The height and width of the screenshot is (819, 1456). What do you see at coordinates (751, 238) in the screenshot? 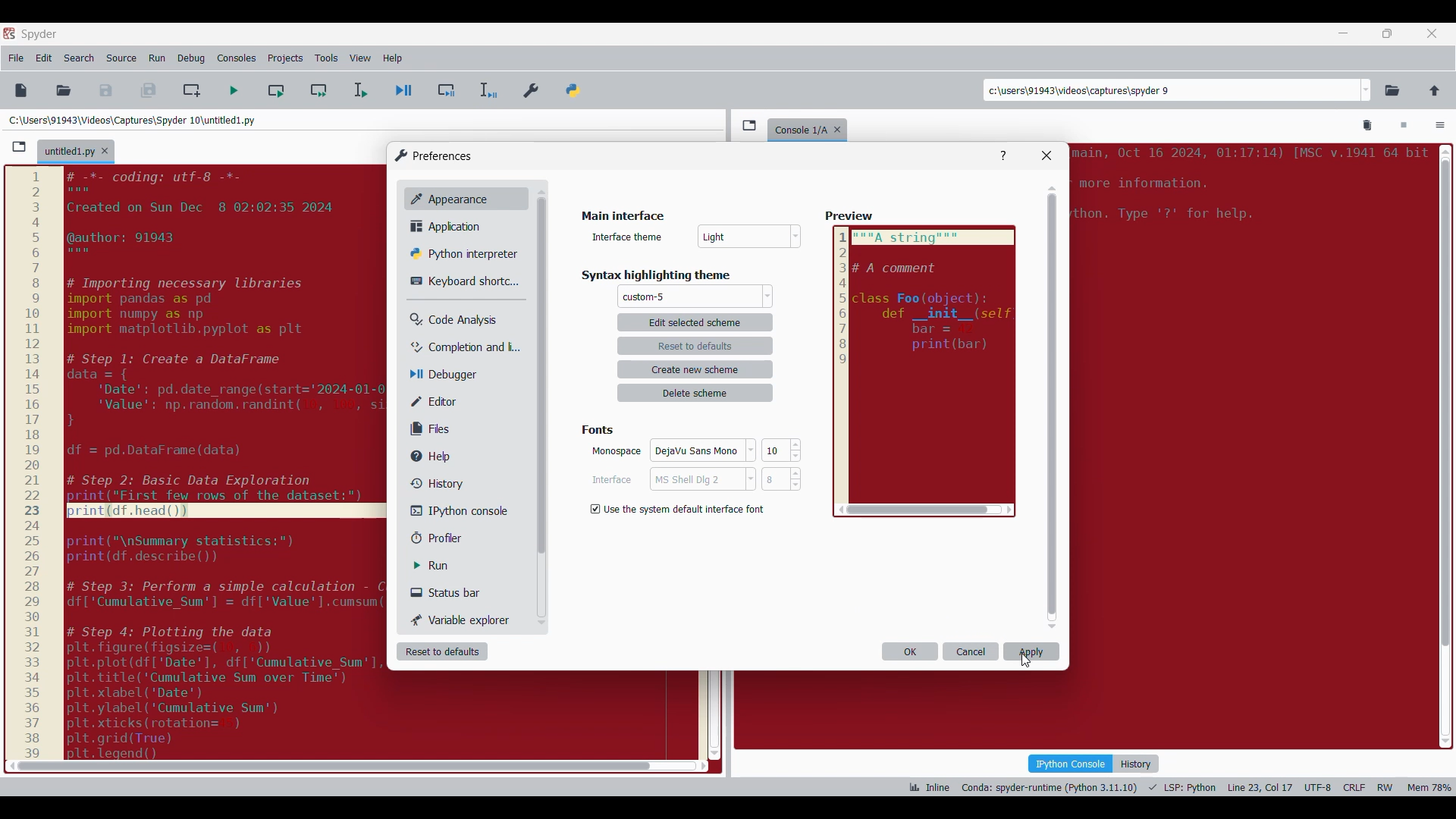
I see `` at bounding box center [751, 238].